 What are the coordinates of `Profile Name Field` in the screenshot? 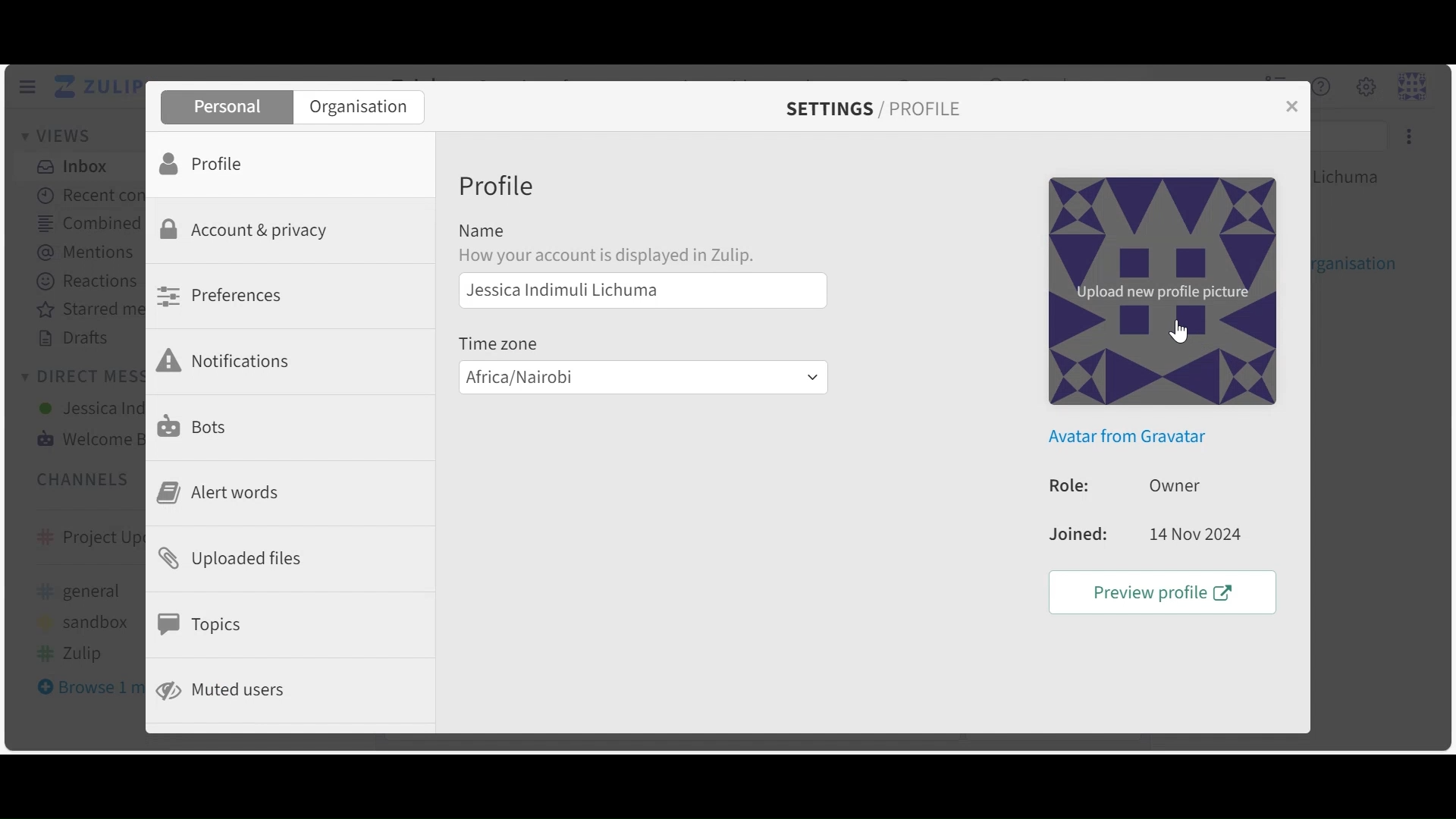 It's located at (640, 290).